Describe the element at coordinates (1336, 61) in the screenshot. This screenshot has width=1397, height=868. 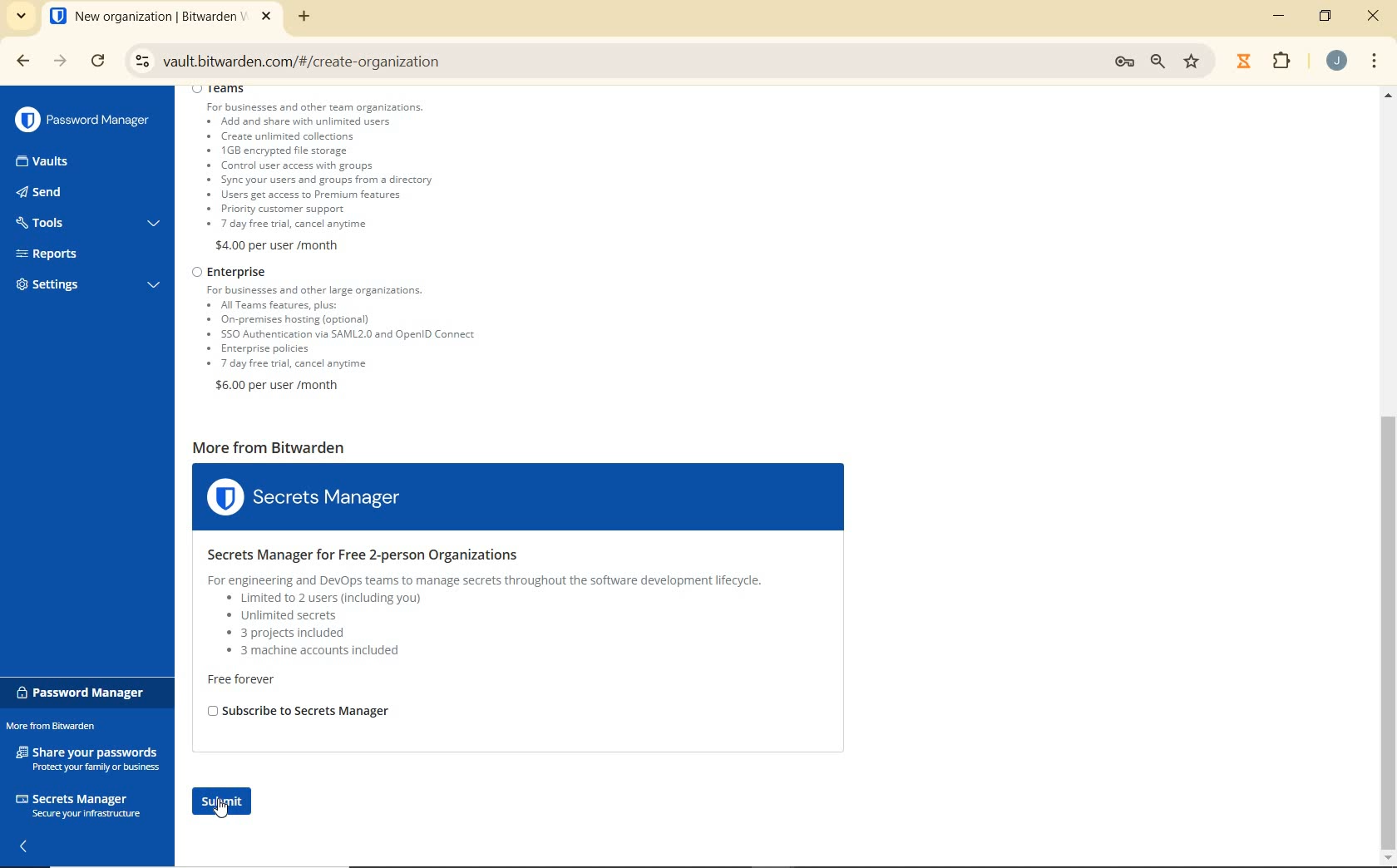
I see `account name` at that location.